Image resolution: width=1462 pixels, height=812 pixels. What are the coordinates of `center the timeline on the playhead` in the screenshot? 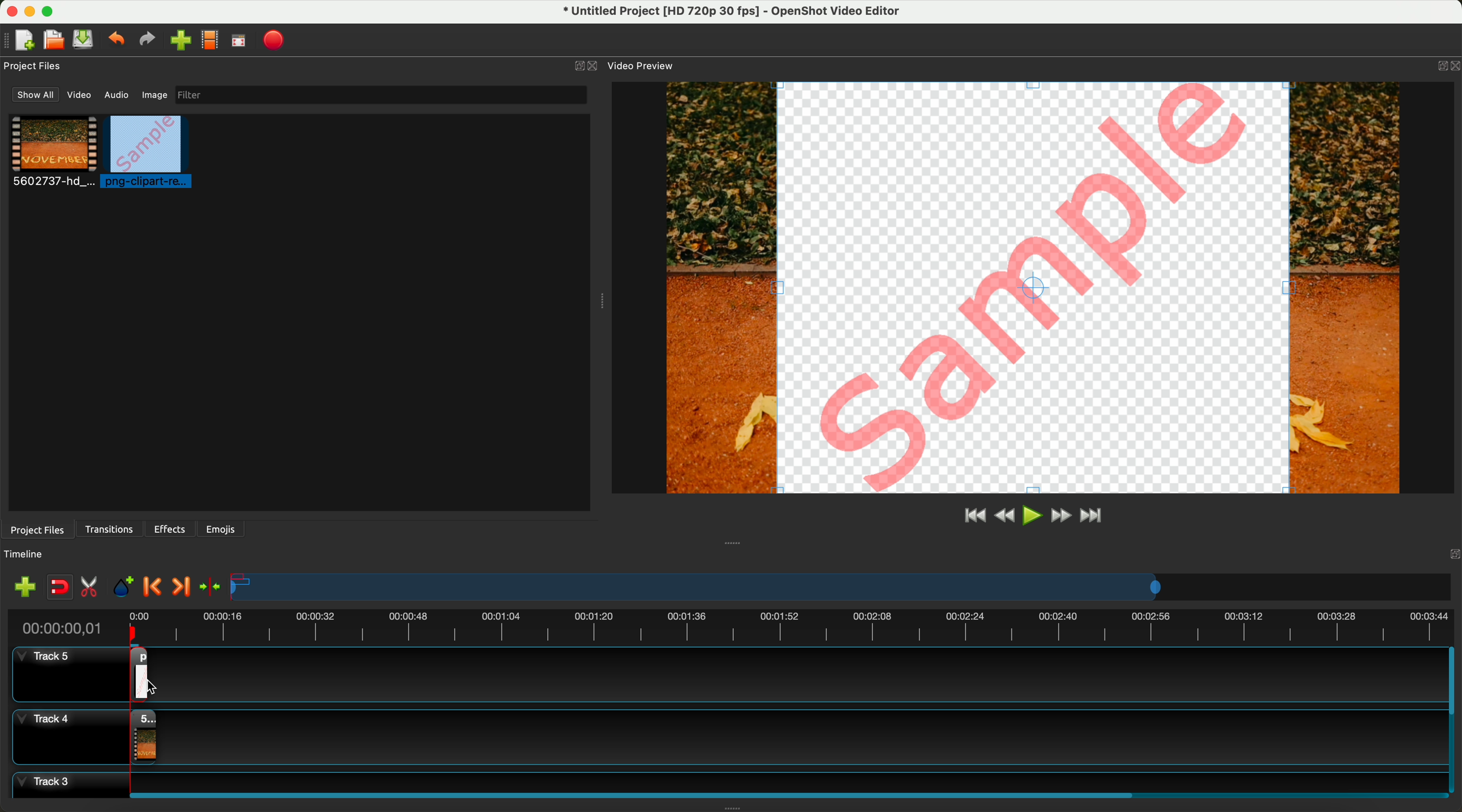 It's located at (209, 586).